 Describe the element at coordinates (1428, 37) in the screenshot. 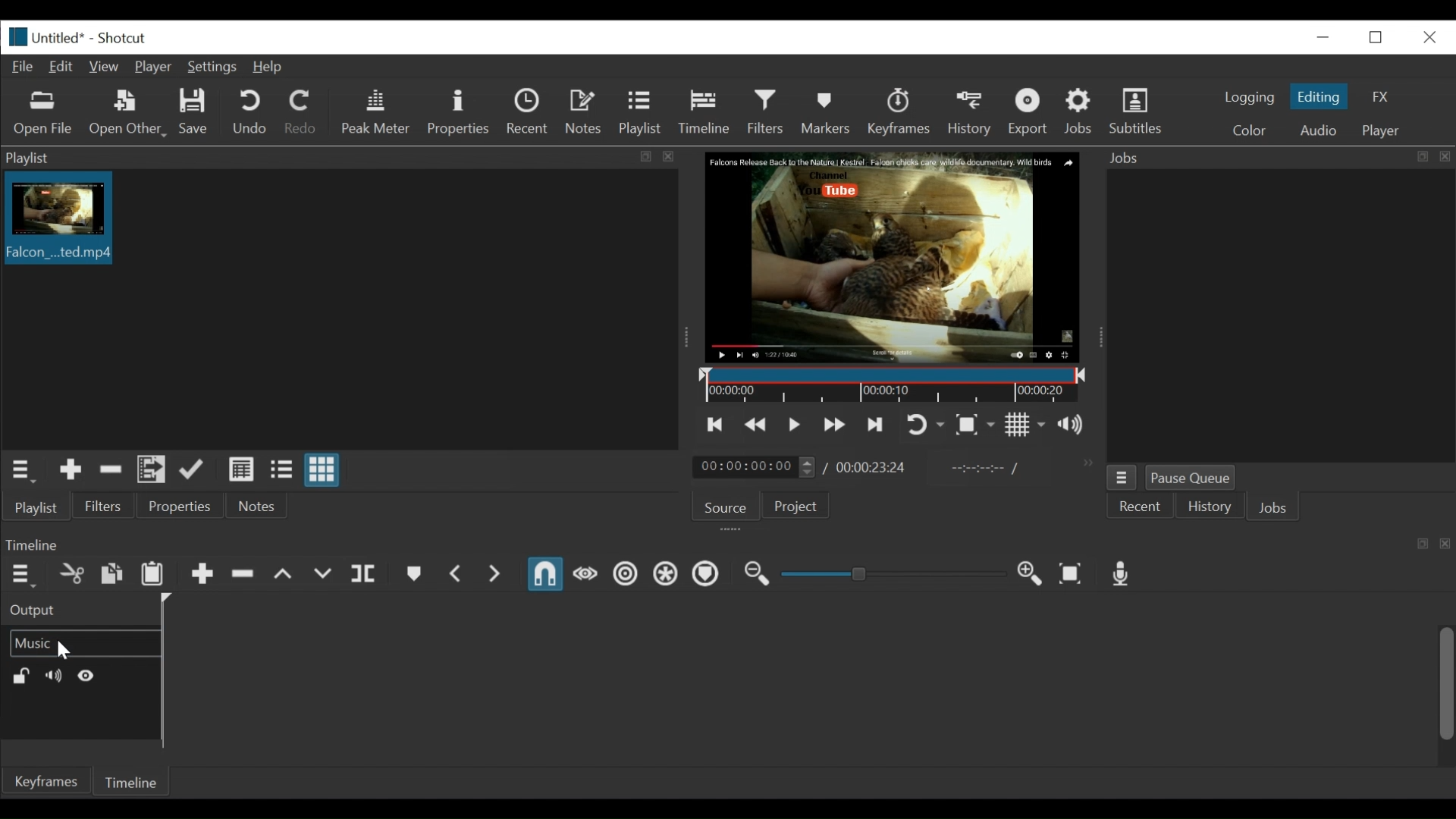

I see `Close` at that location.